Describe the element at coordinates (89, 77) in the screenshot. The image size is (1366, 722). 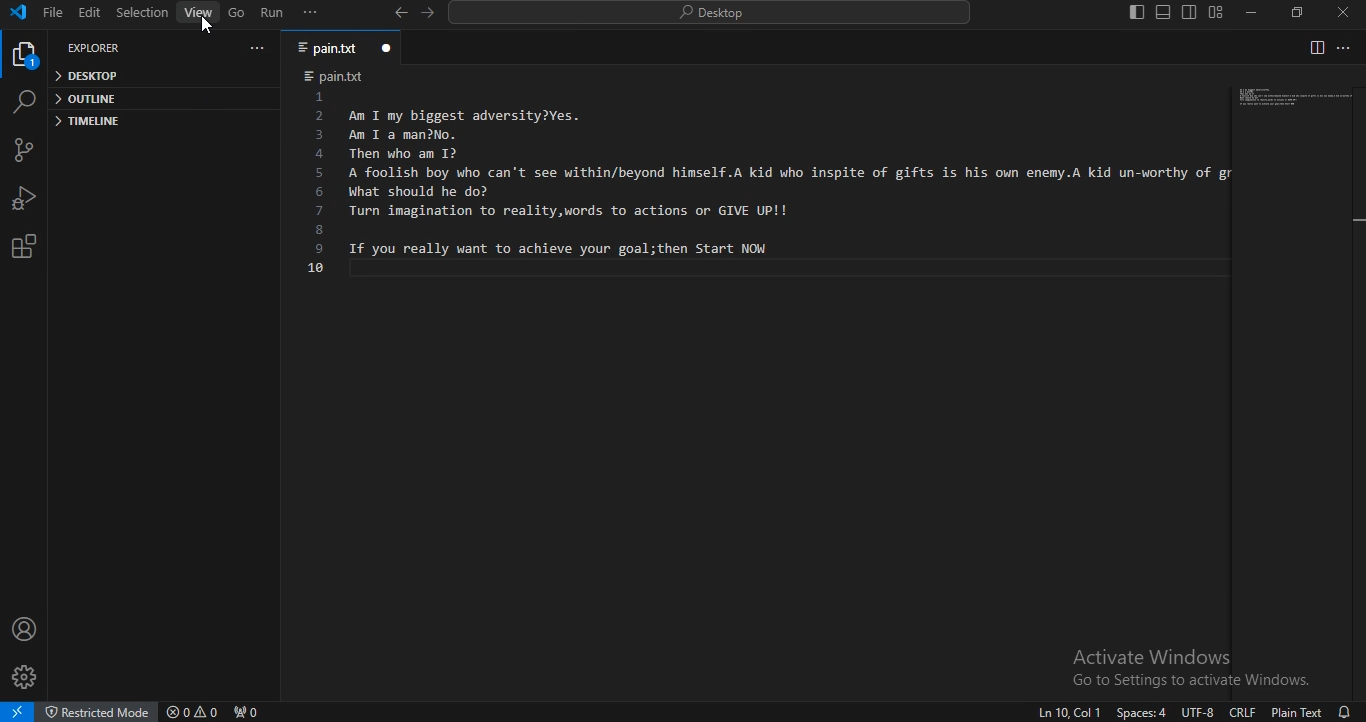
I see `desktop` at that location.